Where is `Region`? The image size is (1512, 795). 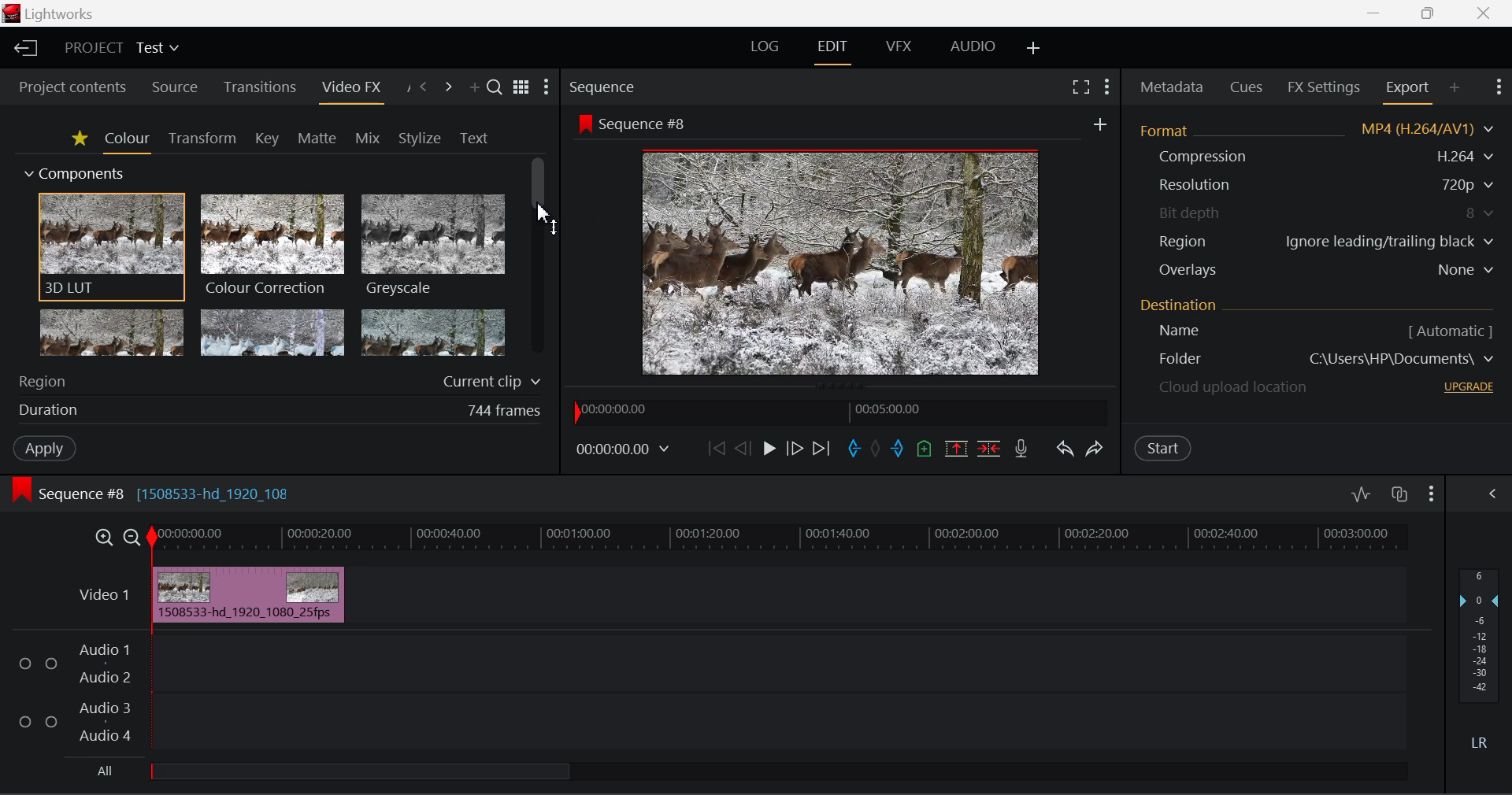
Region is located at coordinates (46, 380).